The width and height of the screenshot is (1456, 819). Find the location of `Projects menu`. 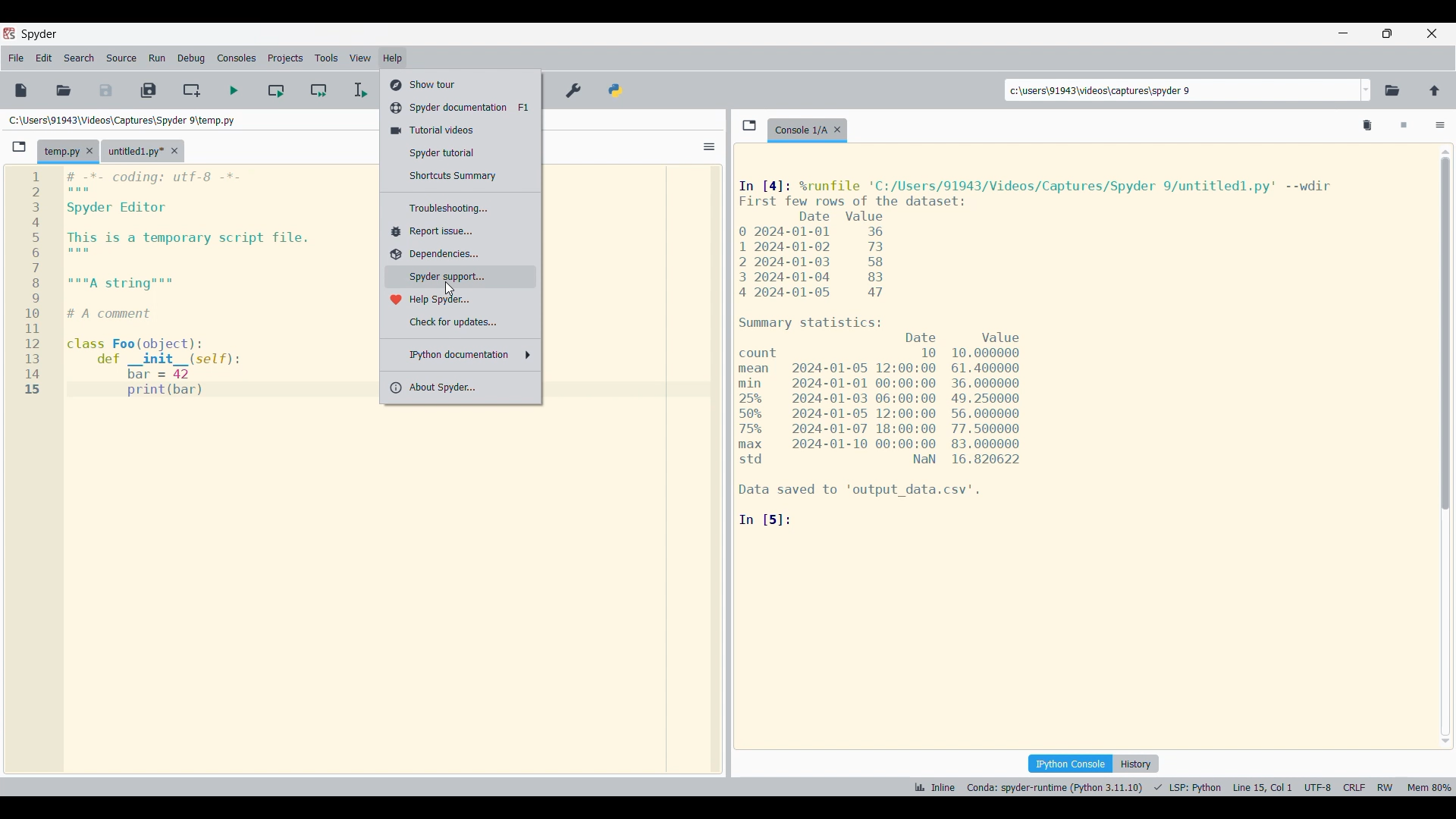

Projects menu is located at coordinates (285, 58).